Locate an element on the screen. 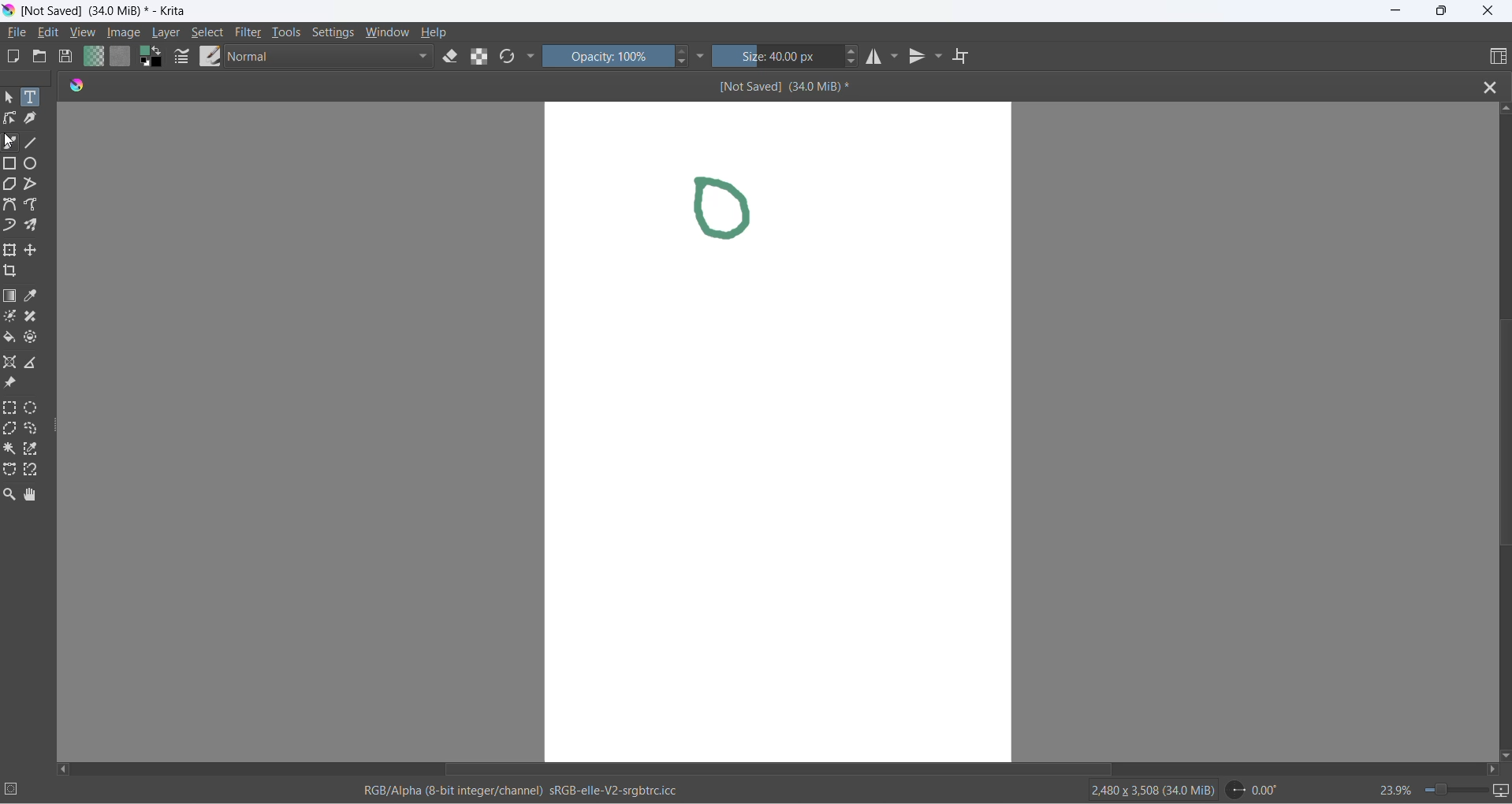  layer is located at coordinates (167, 32).